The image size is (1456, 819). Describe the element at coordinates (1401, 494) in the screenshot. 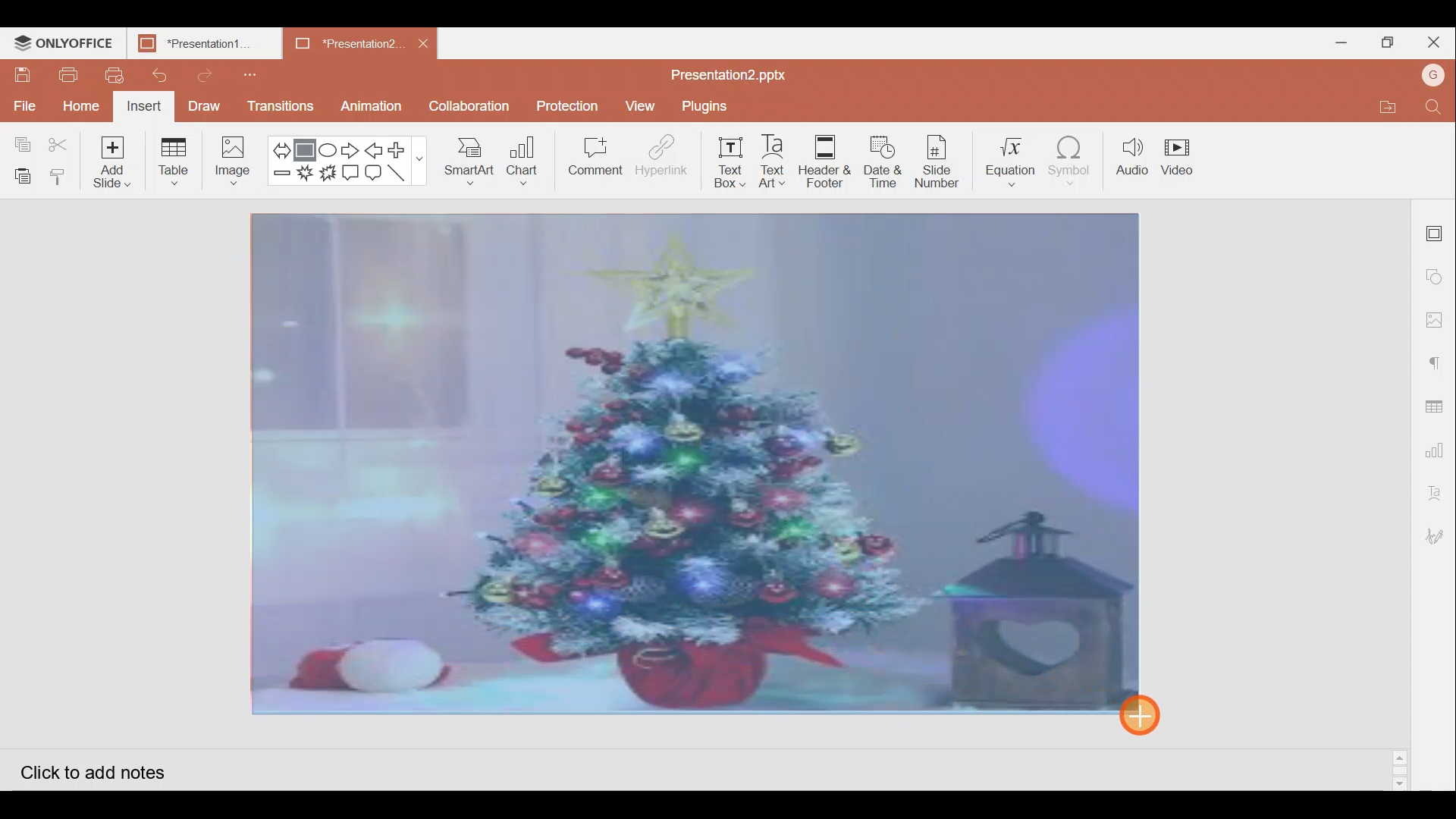

I see `Scroll bar` at that location.